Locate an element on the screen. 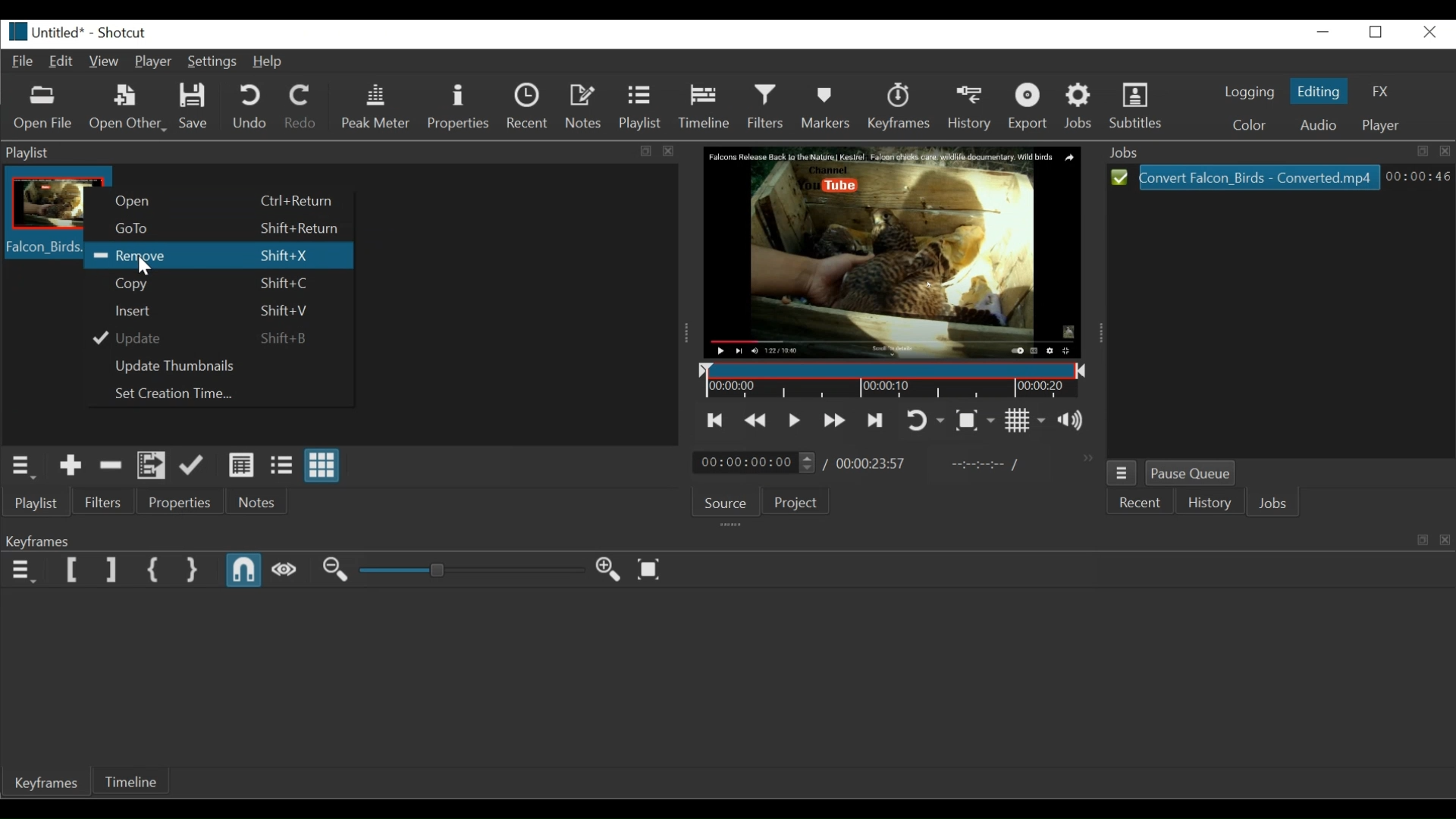  Player is located at coordinates (1381, 127).